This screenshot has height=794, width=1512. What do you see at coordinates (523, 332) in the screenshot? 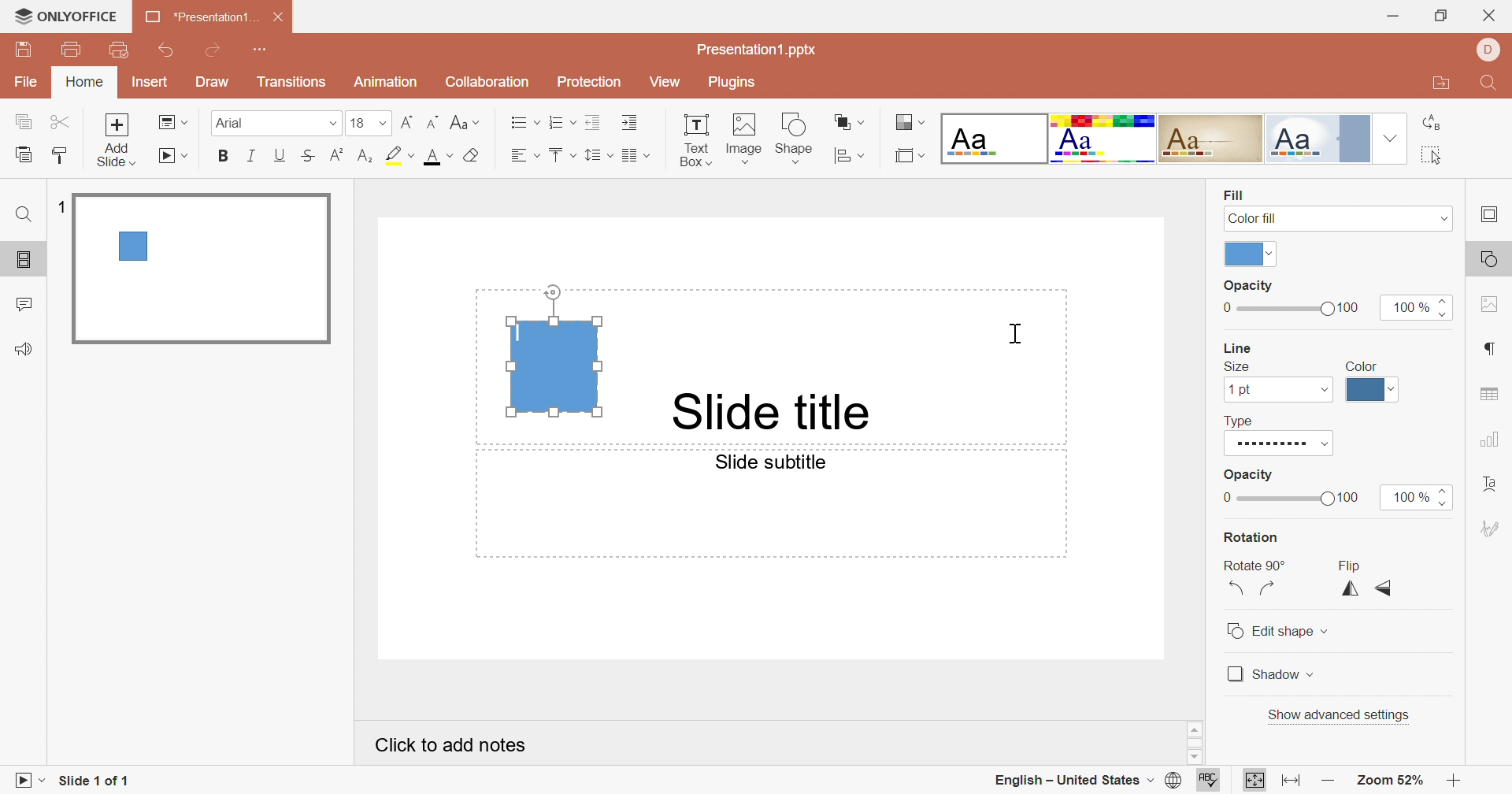
I see `Typing Cursor` at bounding box center [523, 332].